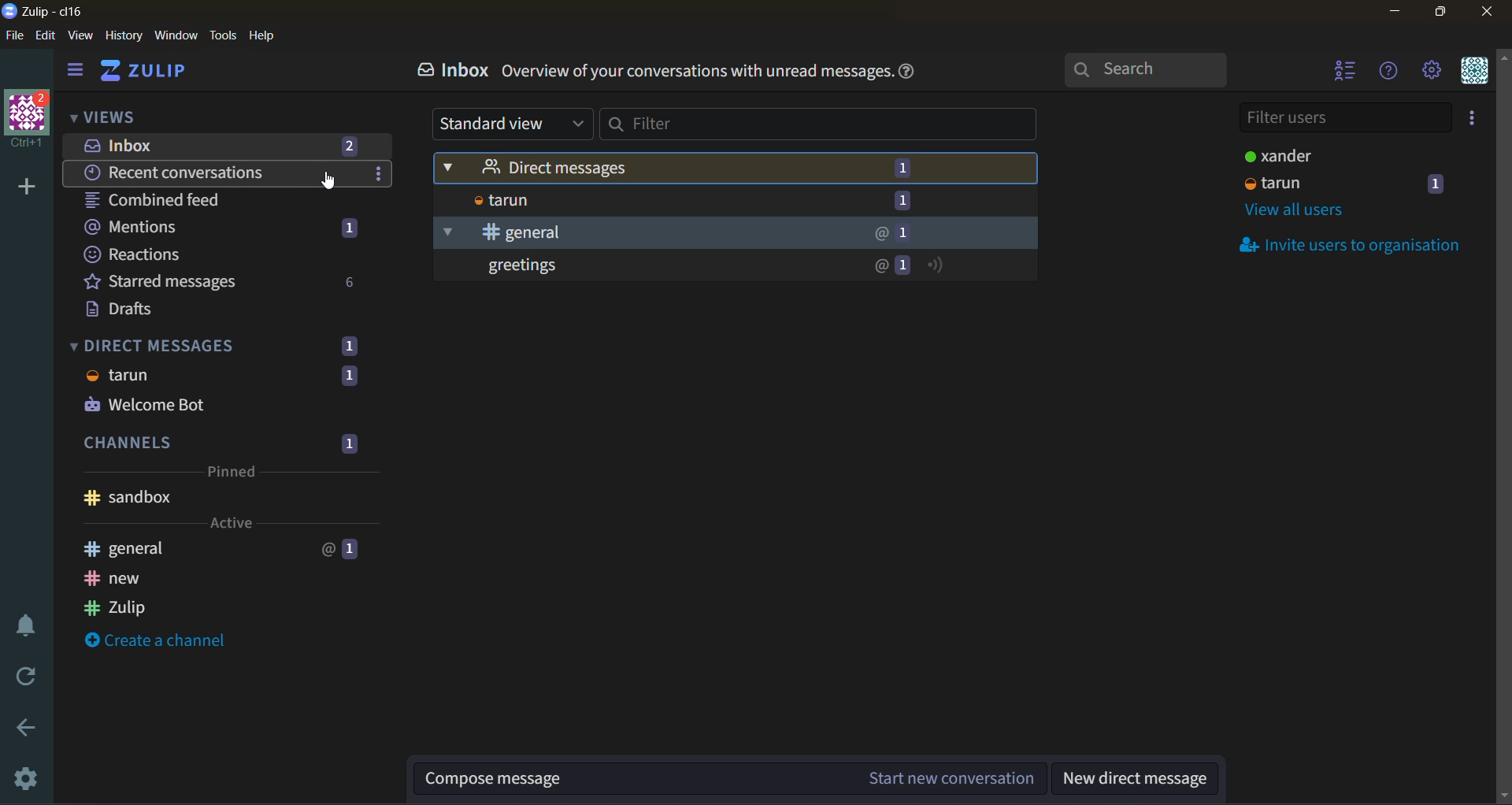  Describe the element at coordinates (78, 71) in the screenshot. I see `hide sidebar` at that location.